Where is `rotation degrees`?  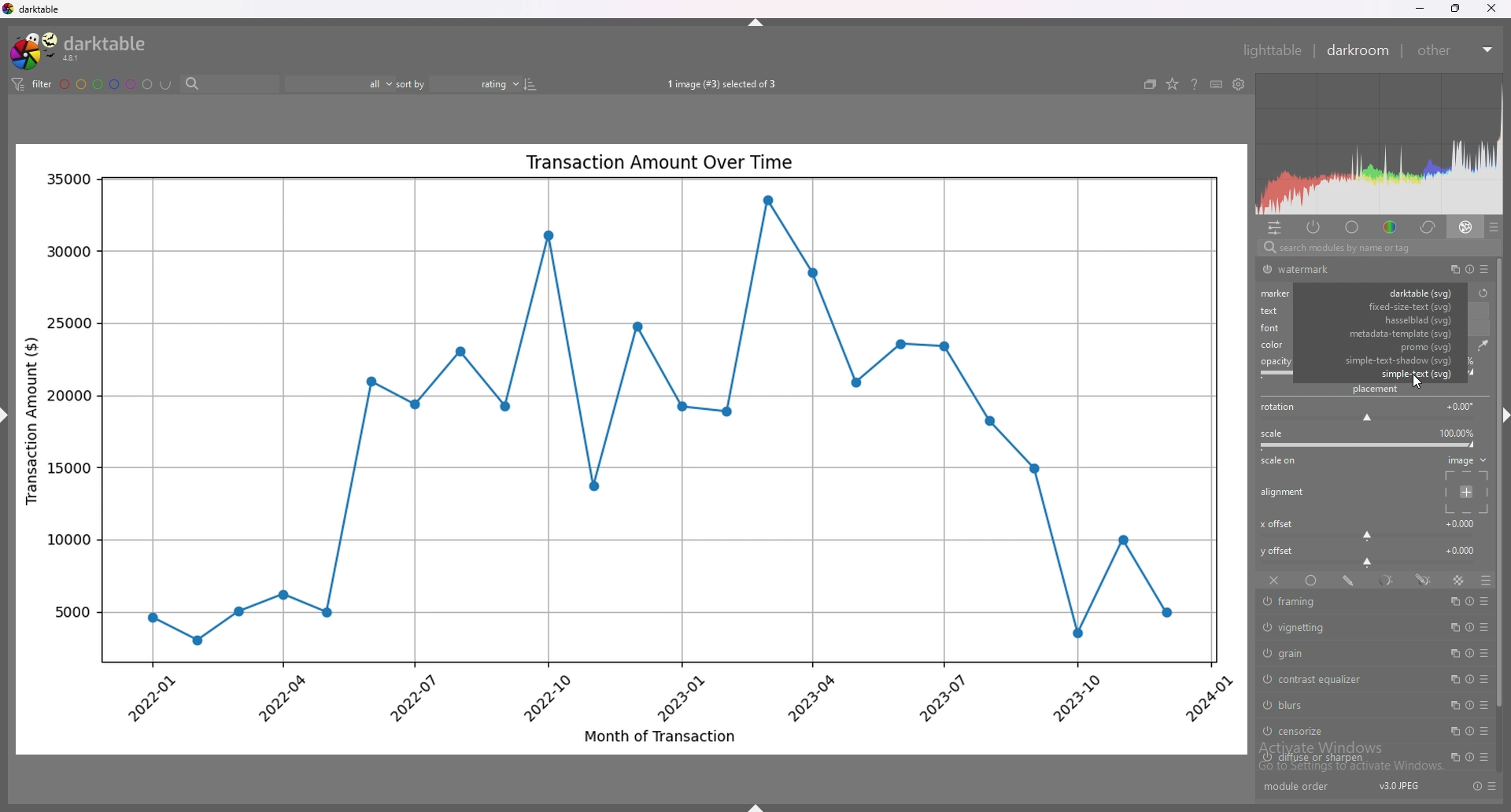
rotation degrees is located at coordinates (1461, 405).